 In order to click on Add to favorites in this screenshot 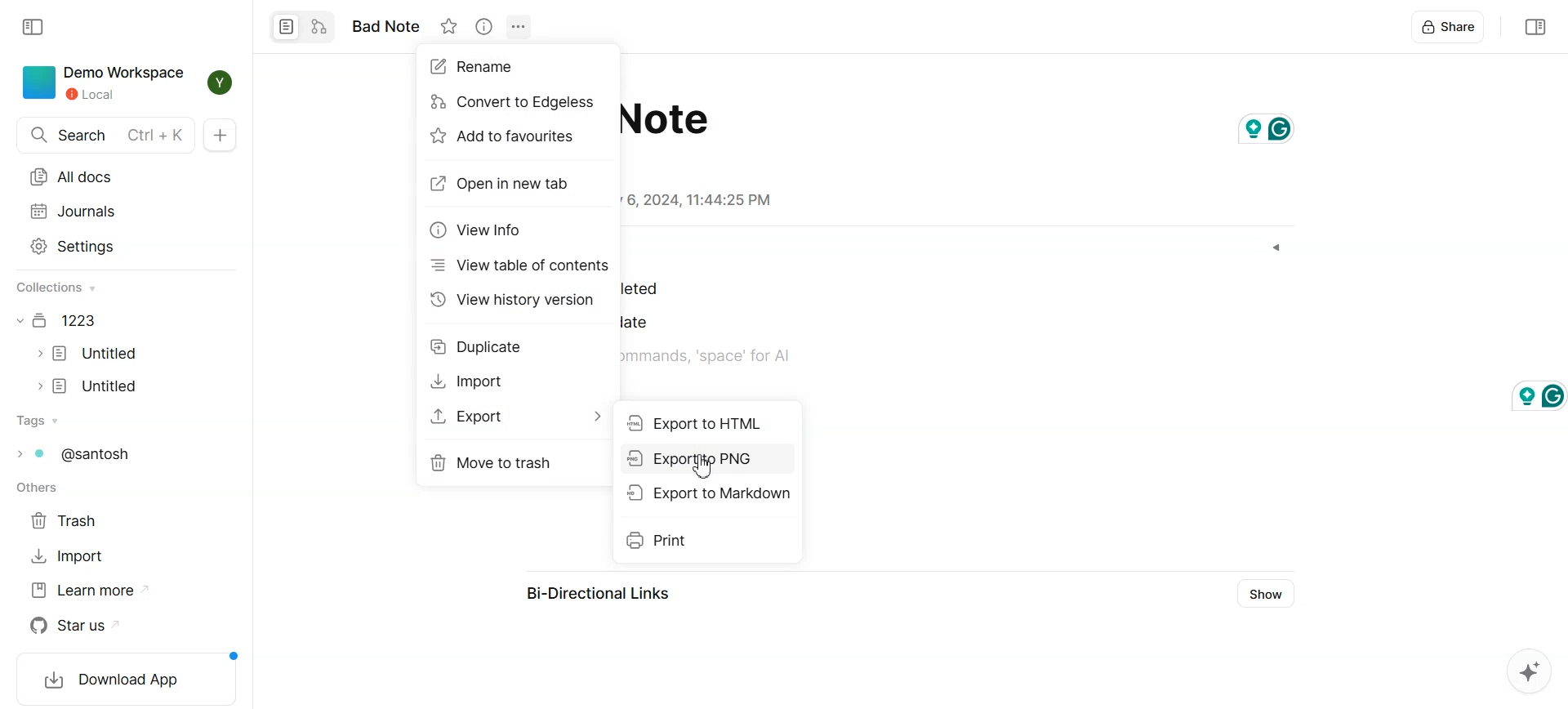, I will do `click(512, 136)`.